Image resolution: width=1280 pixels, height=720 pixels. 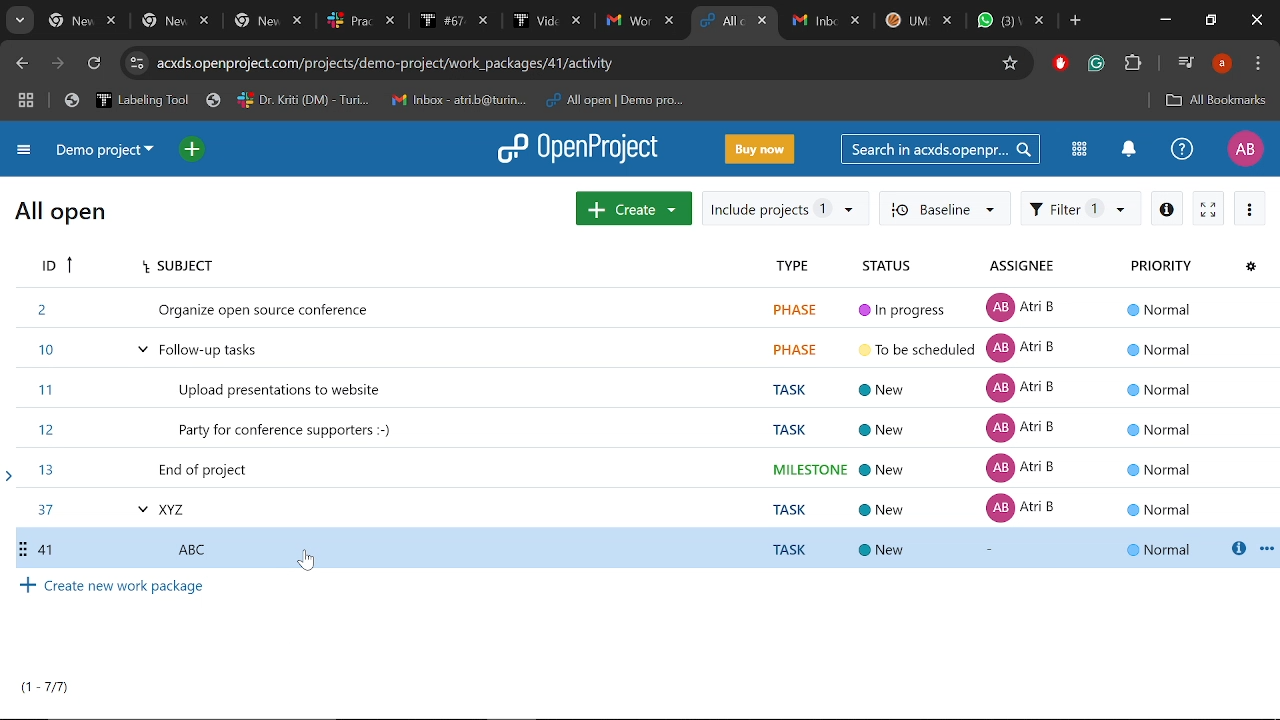 I want to click on Search , so click(x=943, y=149).